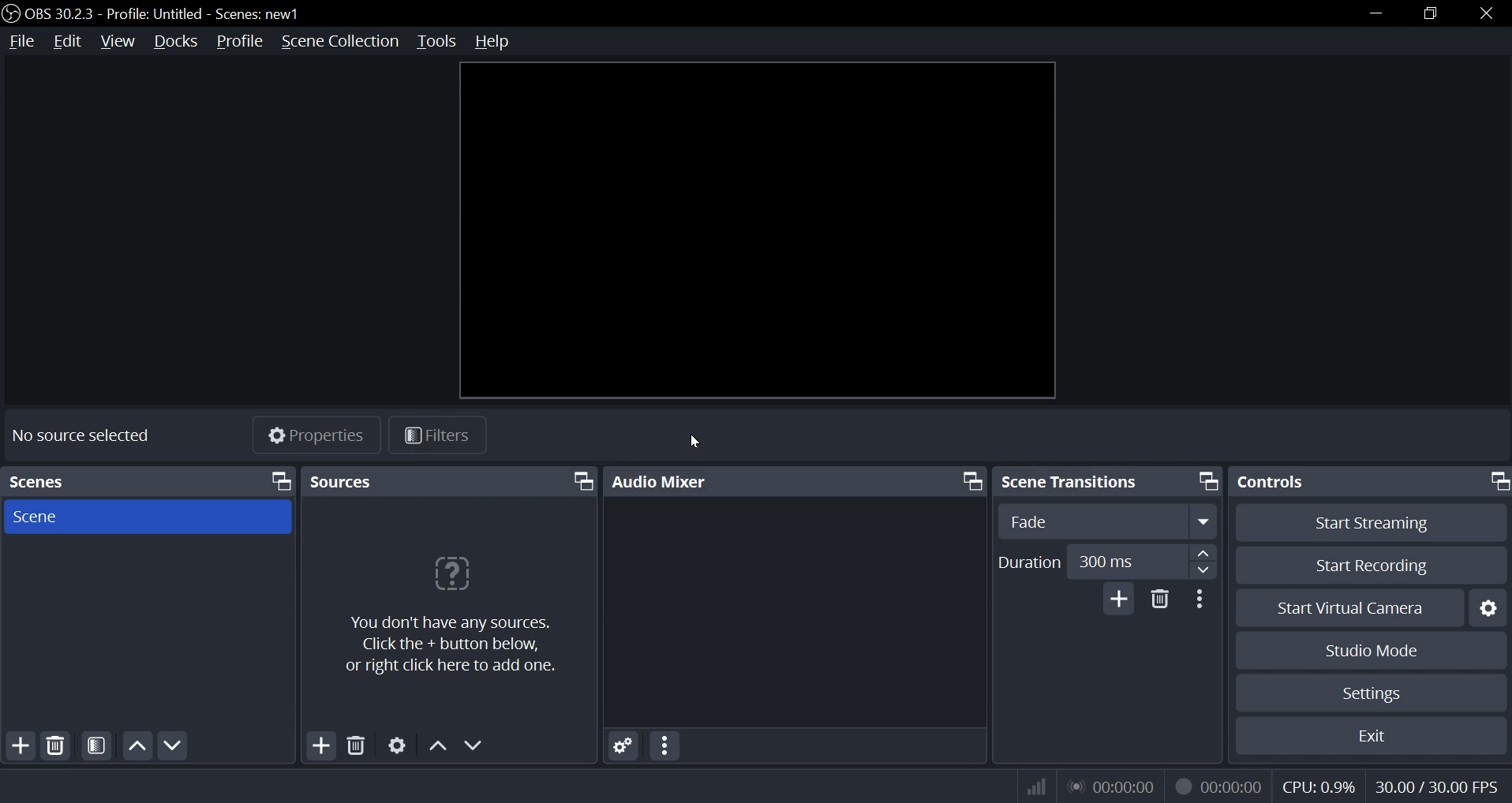  What do you see at coordinates (175, 43) in the screenshot?
I see `docks` at bounding box center [175, 43].